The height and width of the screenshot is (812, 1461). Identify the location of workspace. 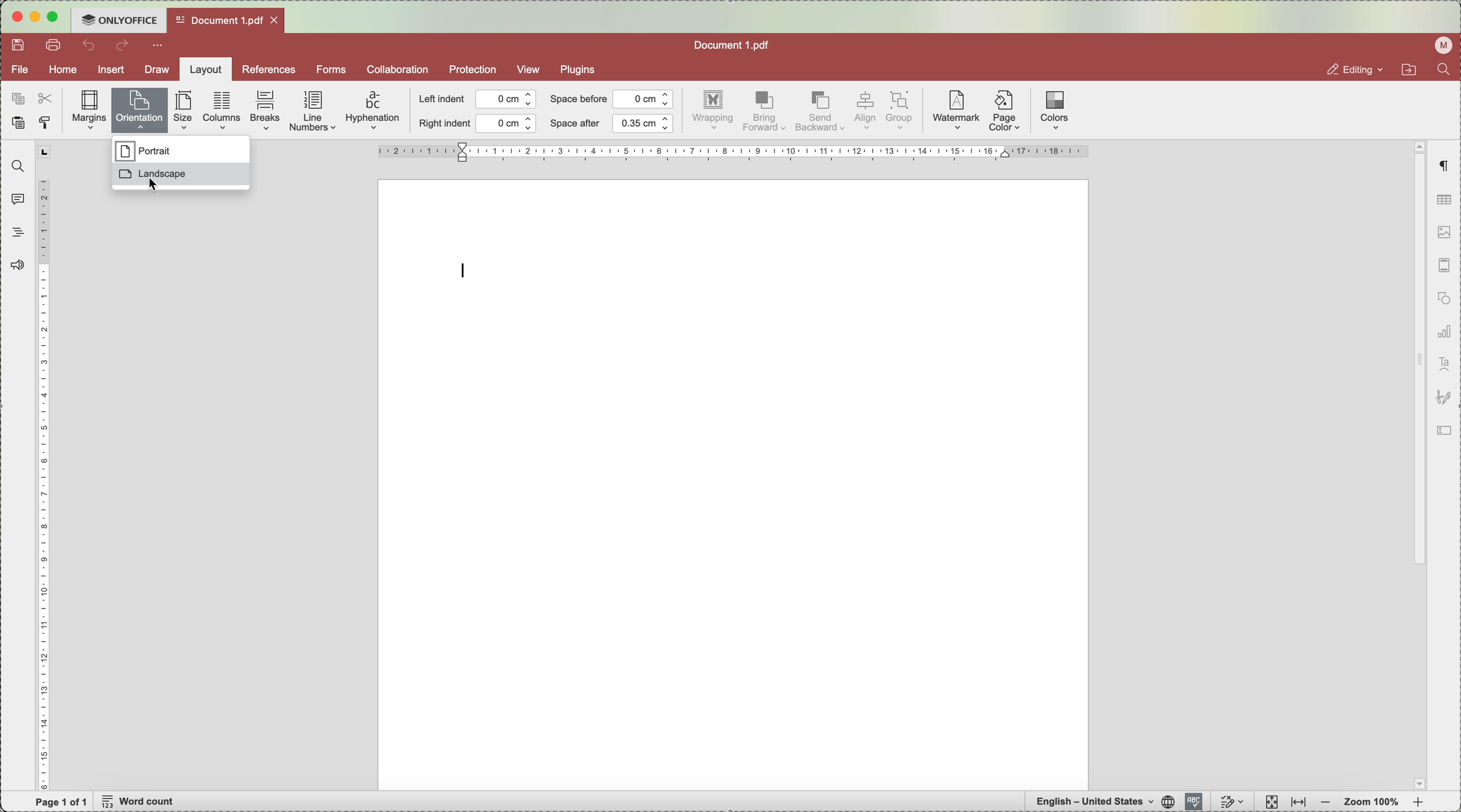
(734, 484).